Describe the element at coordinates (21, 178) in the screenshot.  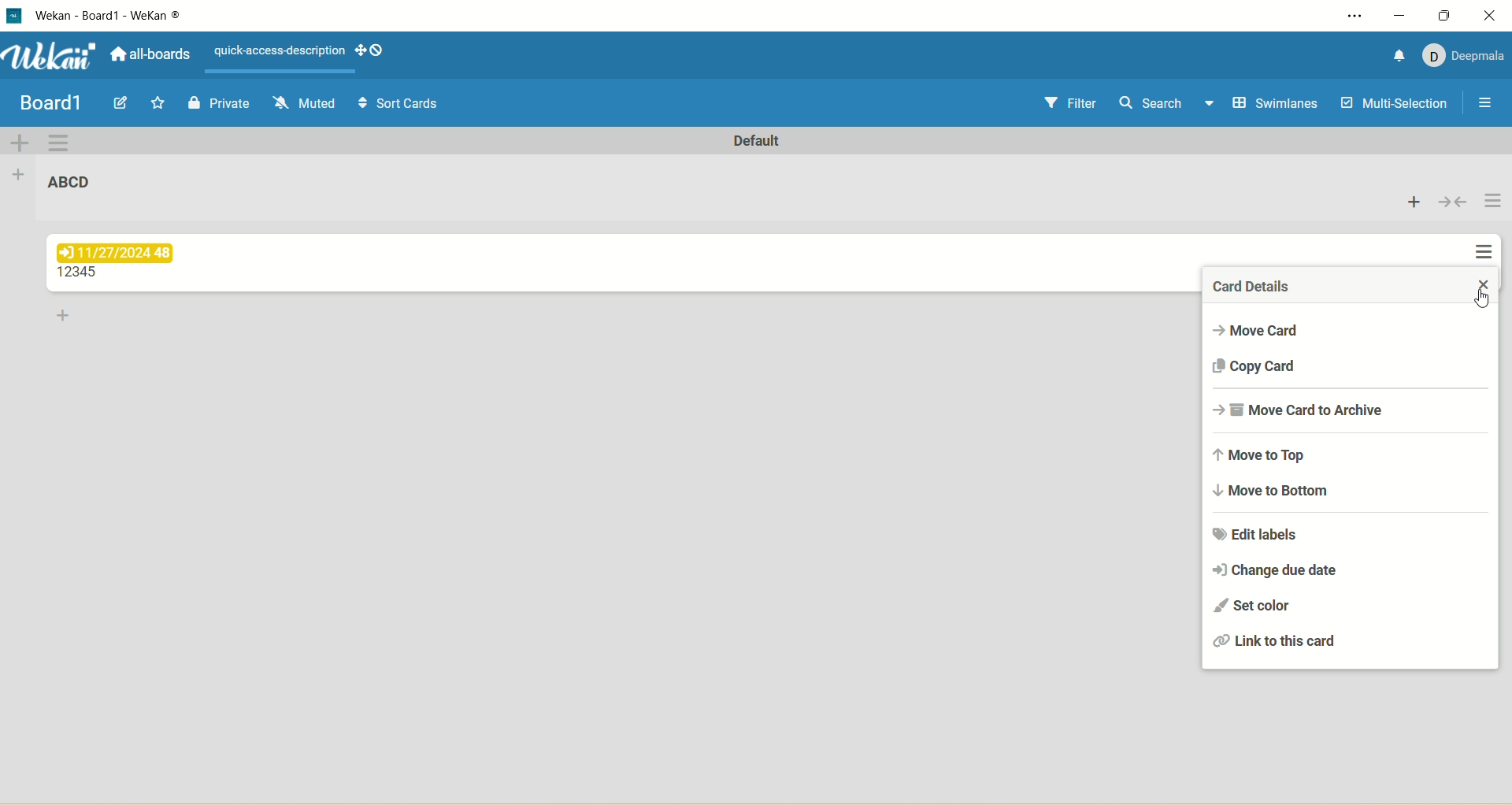
I see `add list` at that location.